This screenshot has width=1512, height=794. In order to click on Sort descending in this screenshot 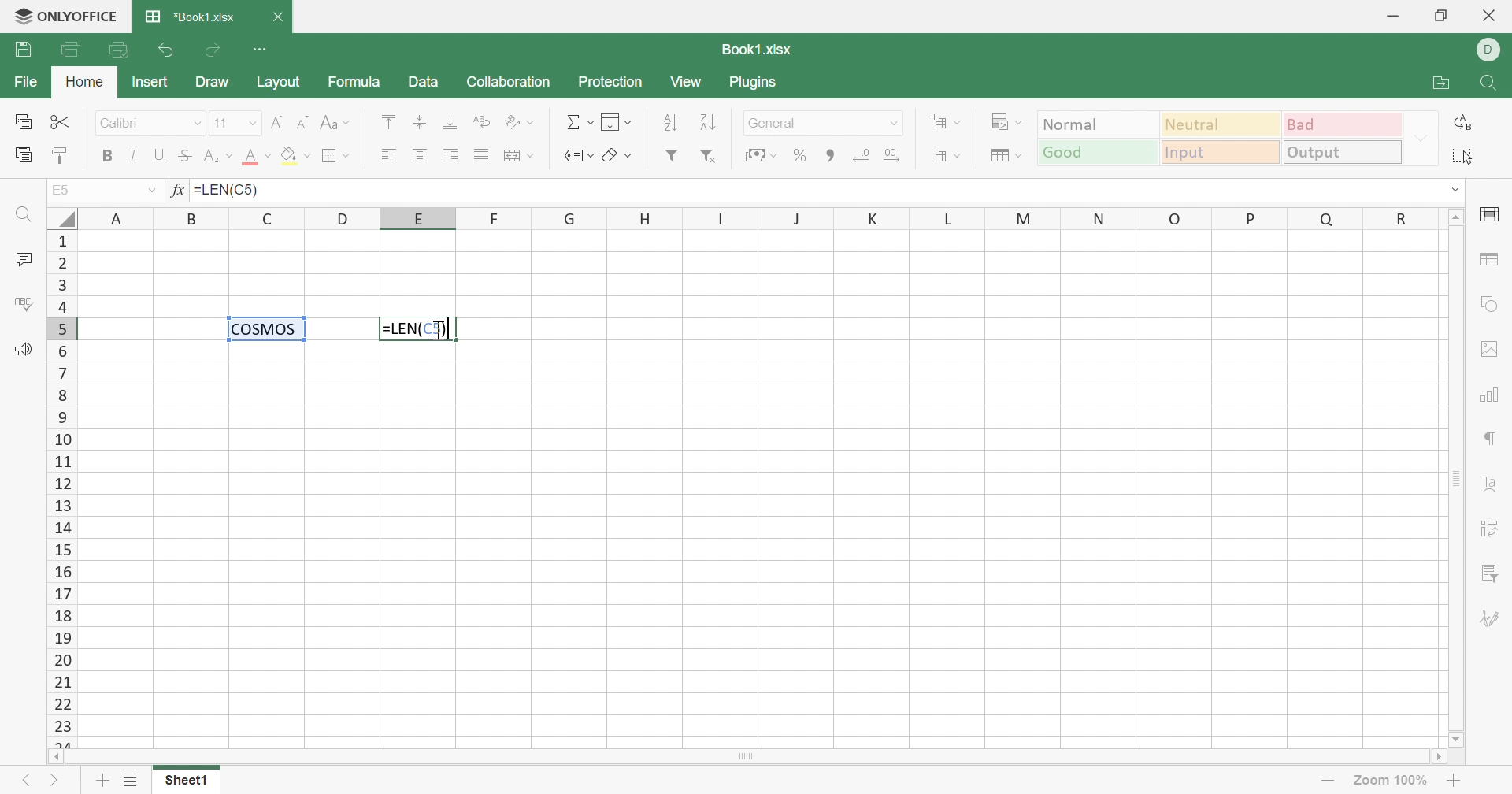, I will do `click(712, 123)`.